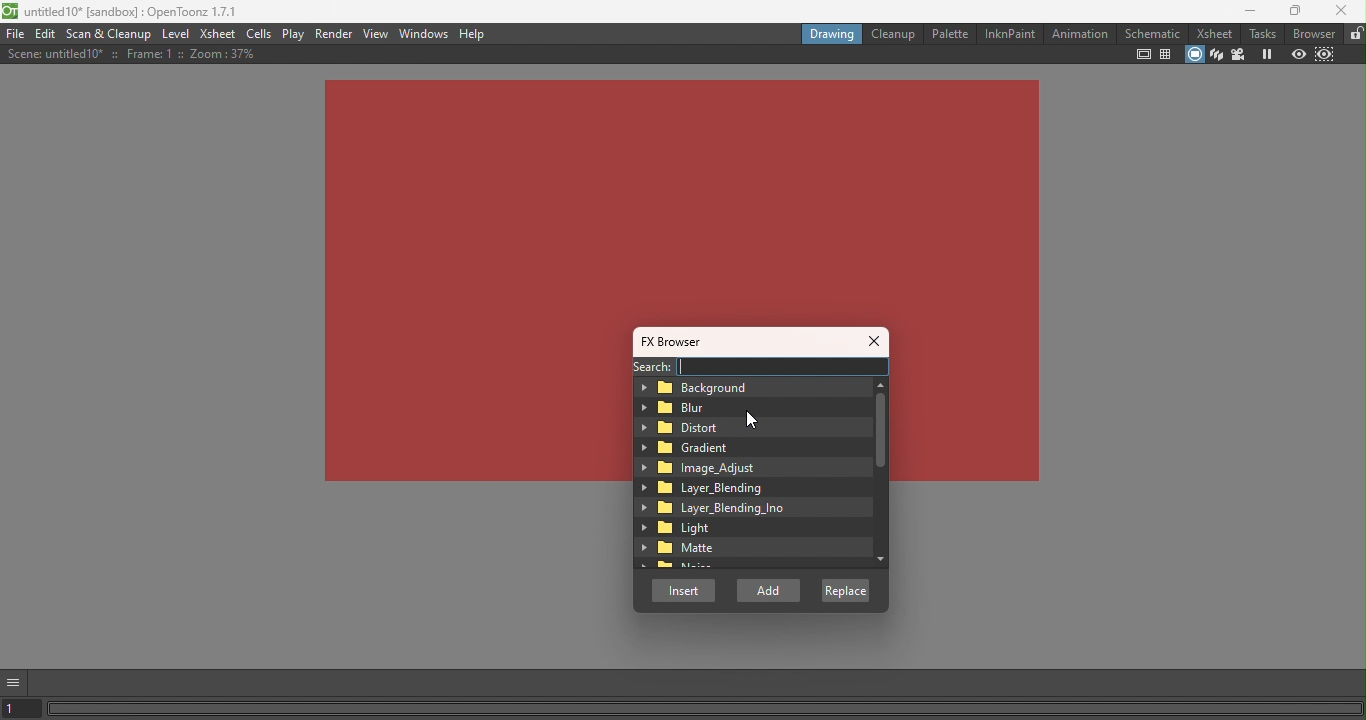 The image size is (1366, 720). I want to click on cursor, so click(754, 419).